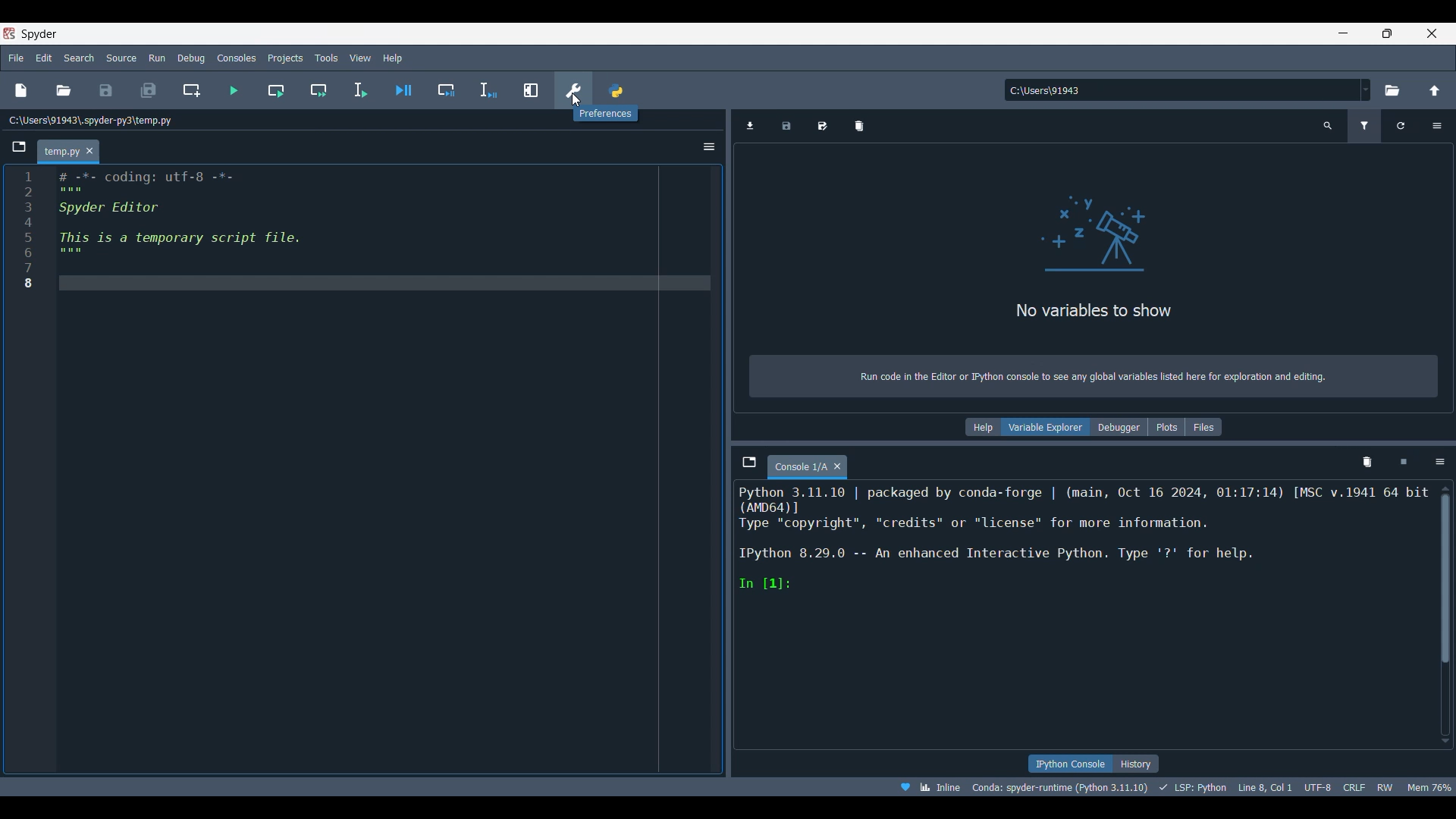  What do you see at coordinates (1120, 427) in the screenshot?
I see `Debugger` at bounding box center [1120, 427].